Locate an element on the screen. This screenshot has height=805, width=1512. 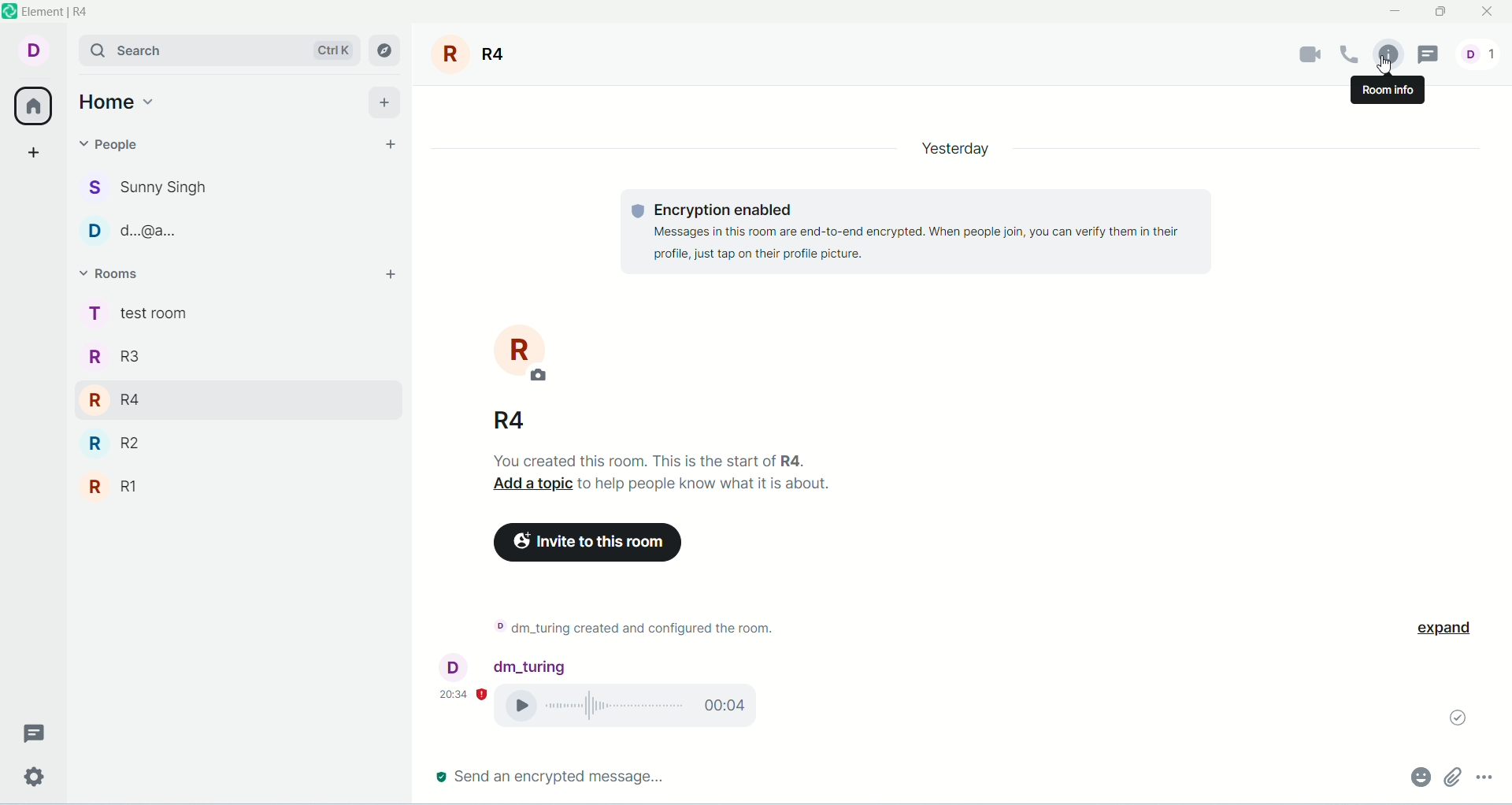
text is located at coordinates (632, 631).